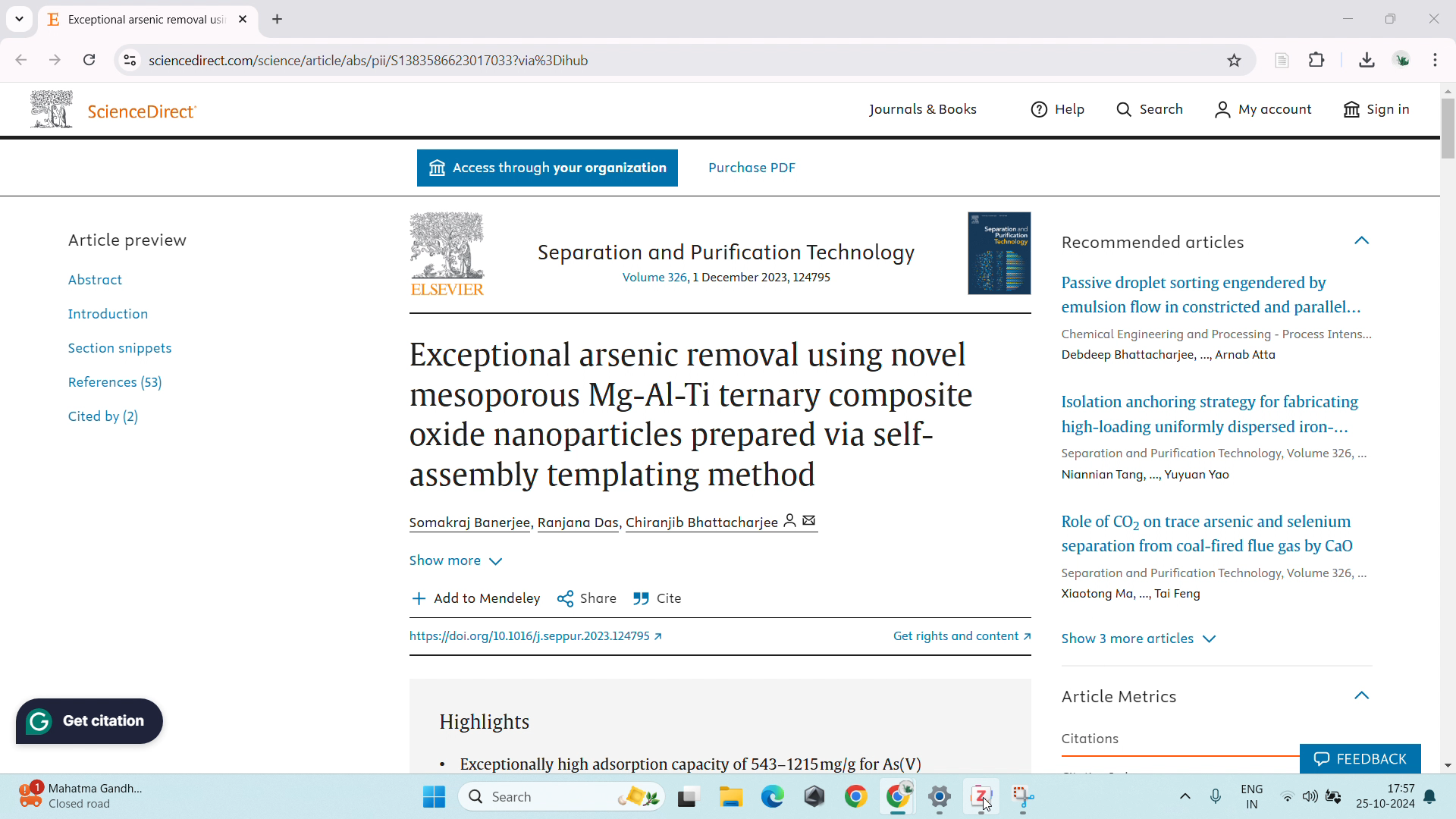  I want to click on Passive droplet sorting engendered by emulsion flow in constricted and parallel..., so click(1211, 294).